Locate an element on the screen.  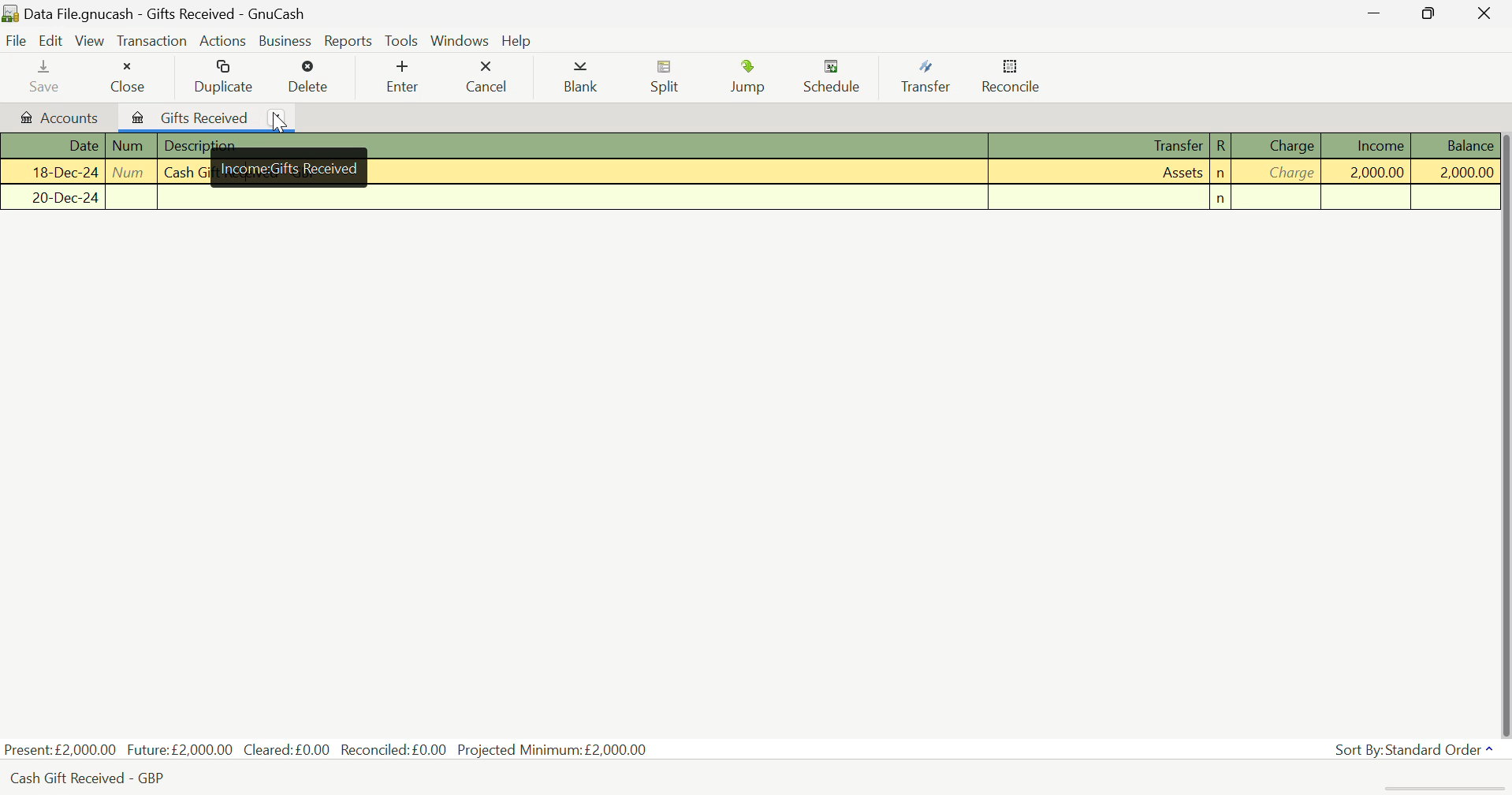
File is located at coordinates (15, 40).